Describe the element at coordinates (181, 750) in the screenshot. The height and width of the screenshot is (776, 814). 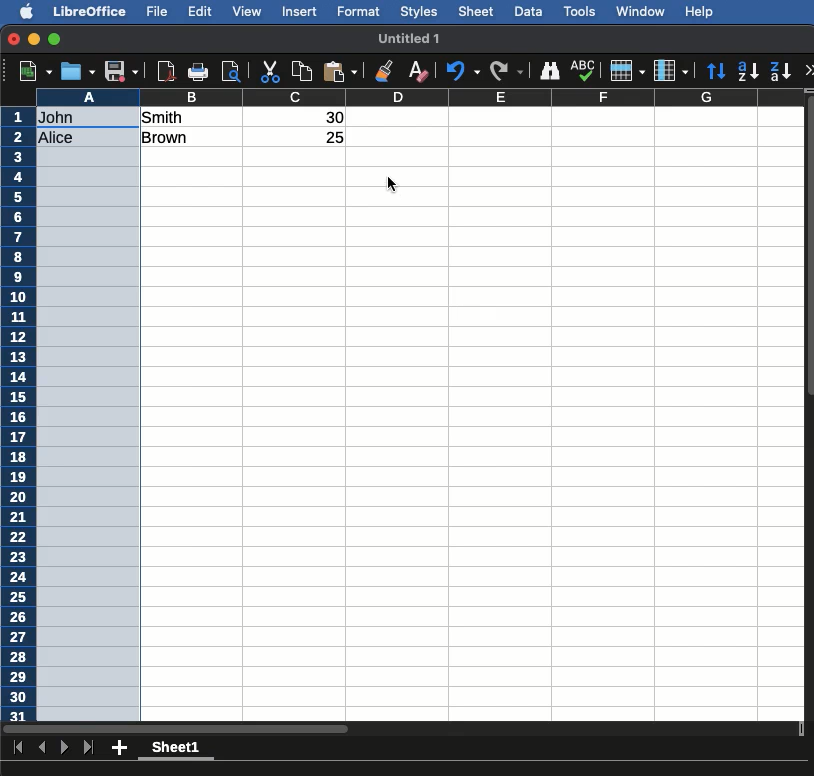
I see `Sheet` at that location.